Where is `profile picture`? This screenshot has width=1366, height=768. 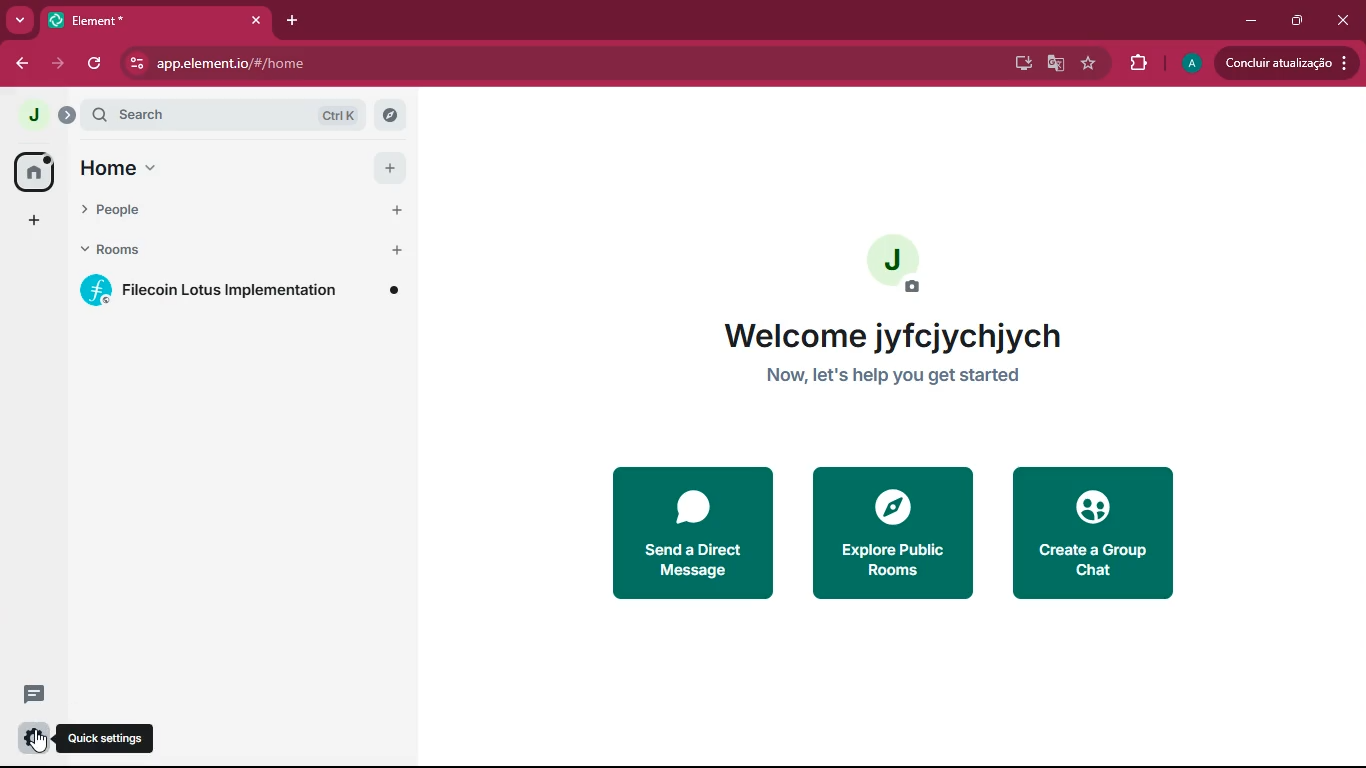
profile picture is located at coordinates (1190, 64).